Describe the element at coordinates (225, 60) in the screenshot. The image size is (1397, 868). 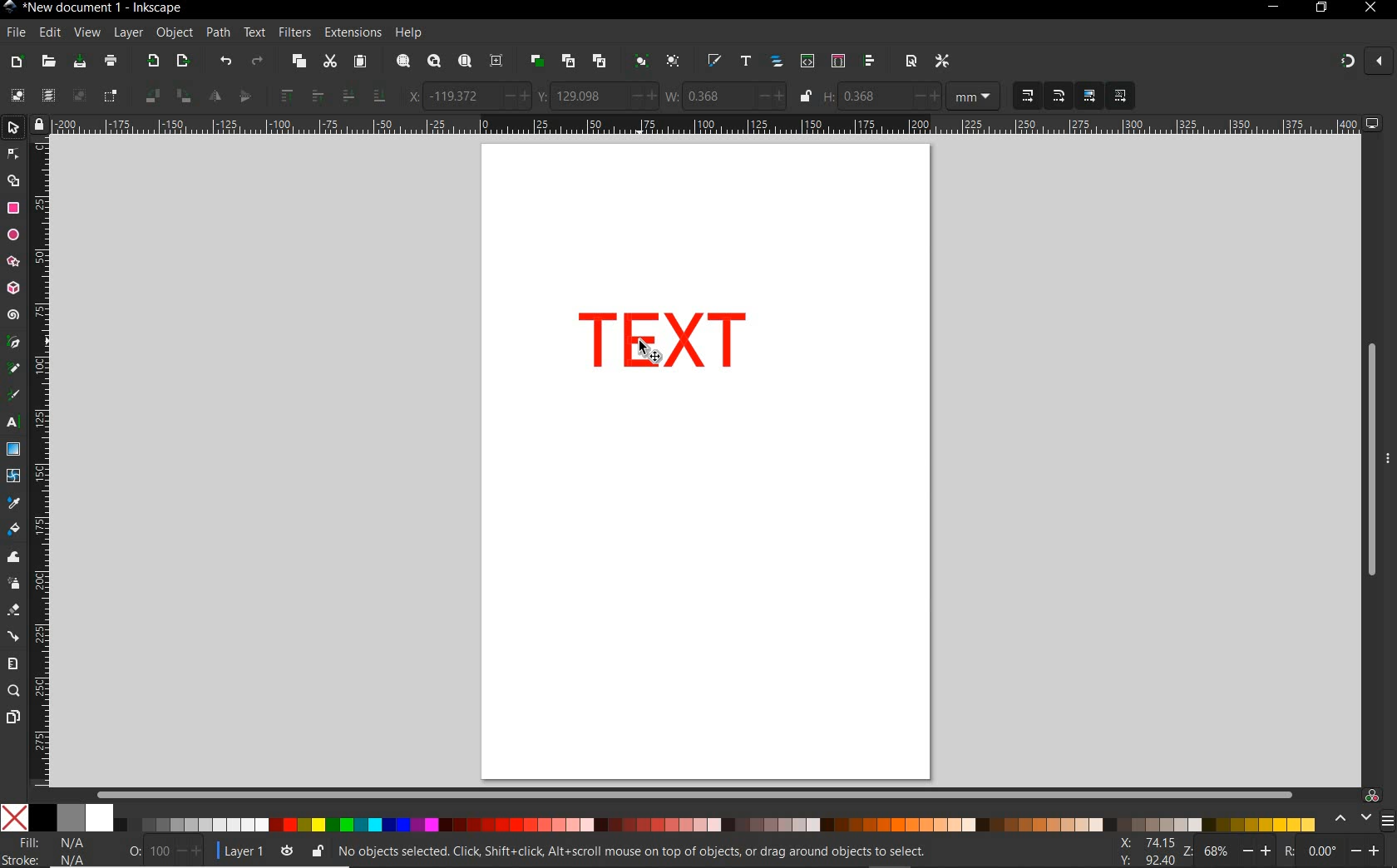
I see `UNDO` at that location.